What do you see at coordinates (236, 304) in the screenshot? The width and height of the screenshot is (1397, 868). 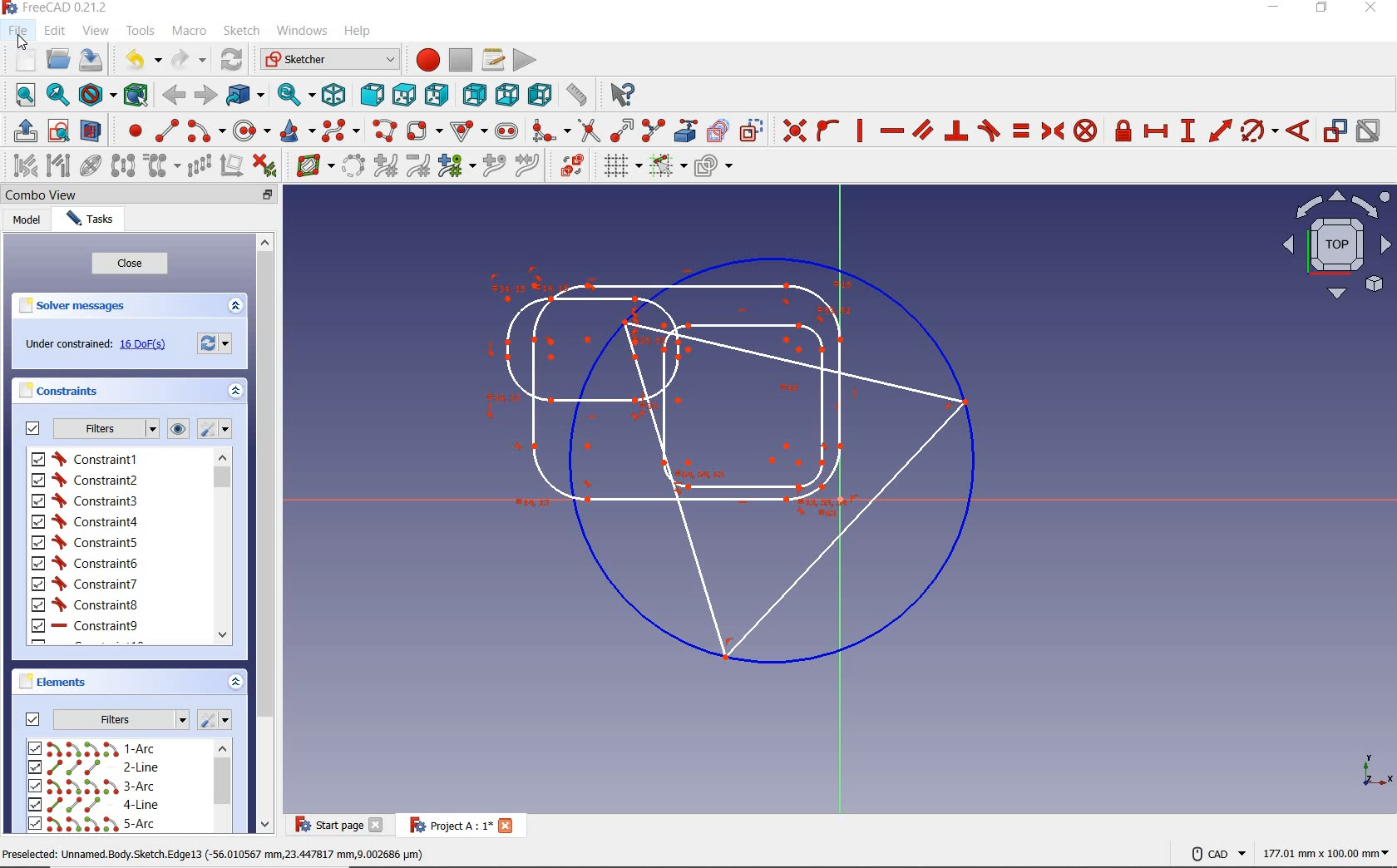 I see `expand` at bounding box center [236, 304].